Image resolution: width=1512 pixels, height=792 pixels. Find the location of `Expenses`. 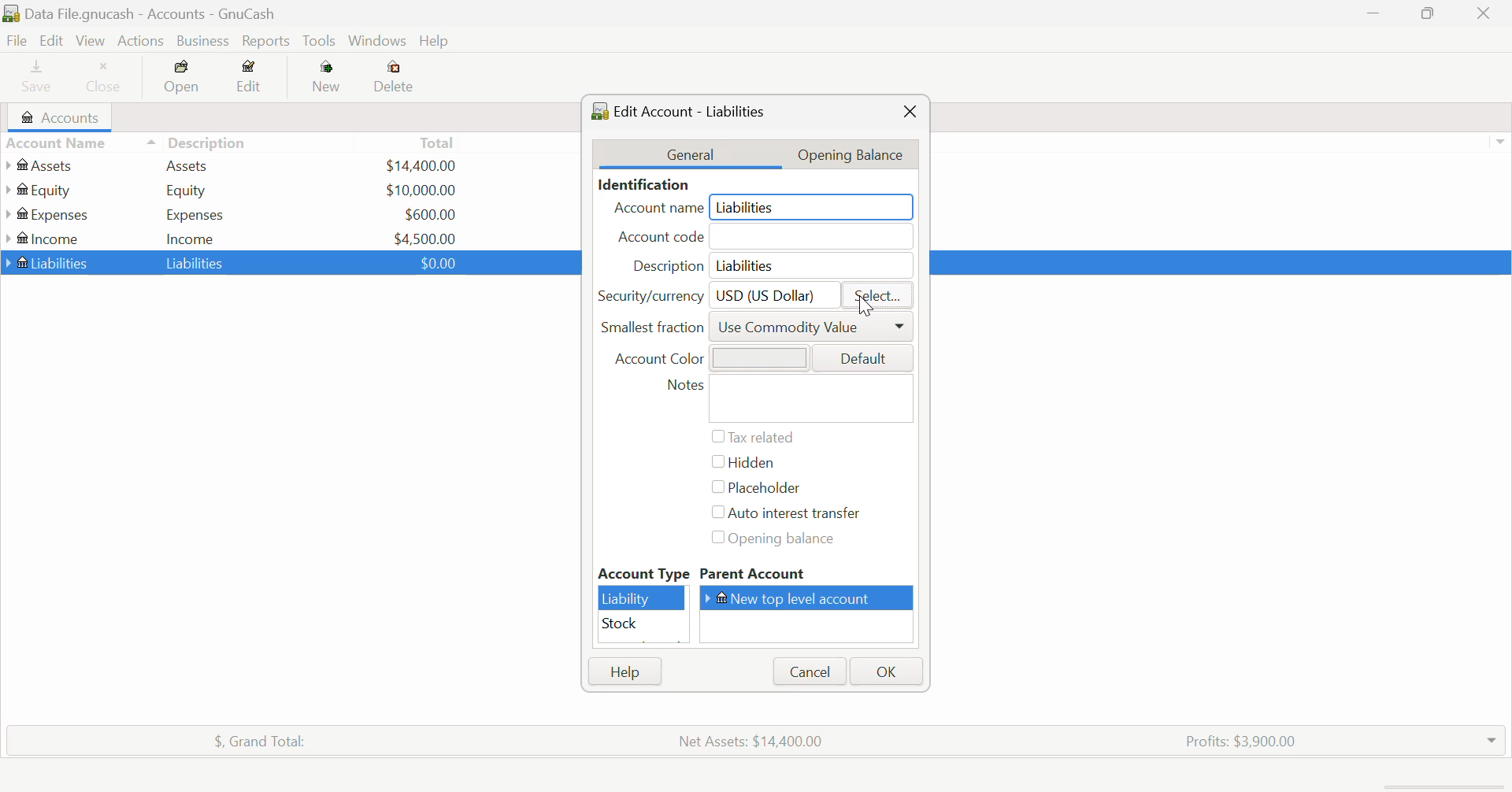

Expenses is located at coordinates (195, 214).